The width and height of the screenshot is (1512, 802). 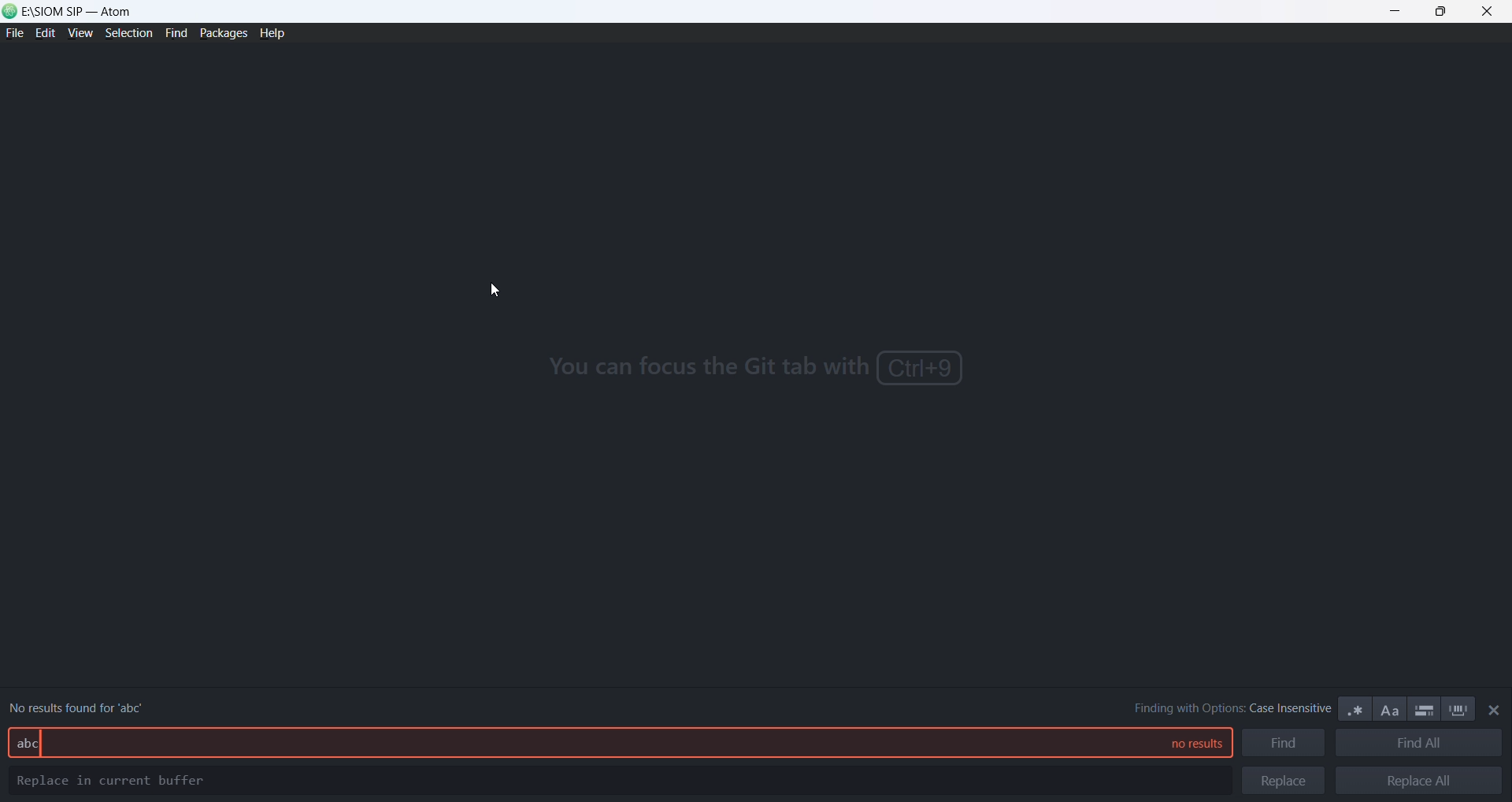 What do you see at coordinates (83, 704) in the screenshot?
I see `no results found for 'abc'` at bounding box center [83, 704].